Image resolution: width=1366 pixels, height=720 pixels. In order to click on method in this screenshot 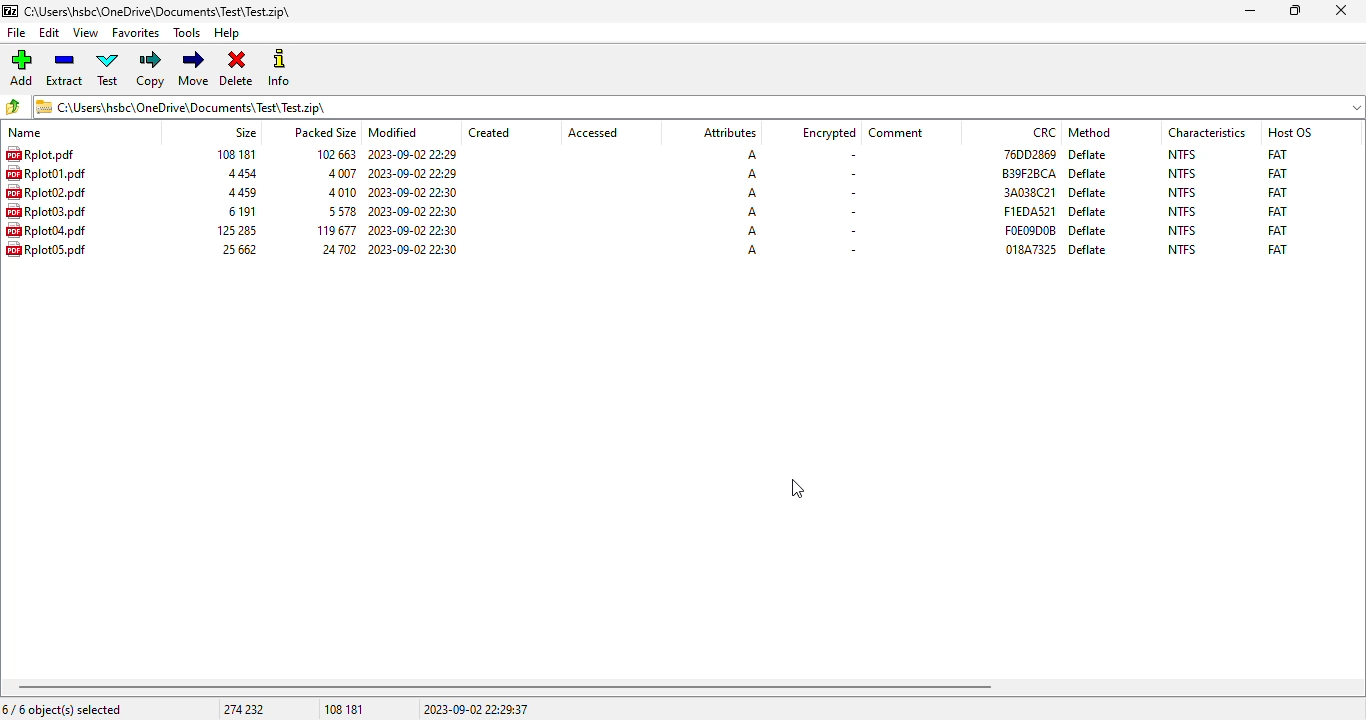, I will do `click(1089, 132)`.